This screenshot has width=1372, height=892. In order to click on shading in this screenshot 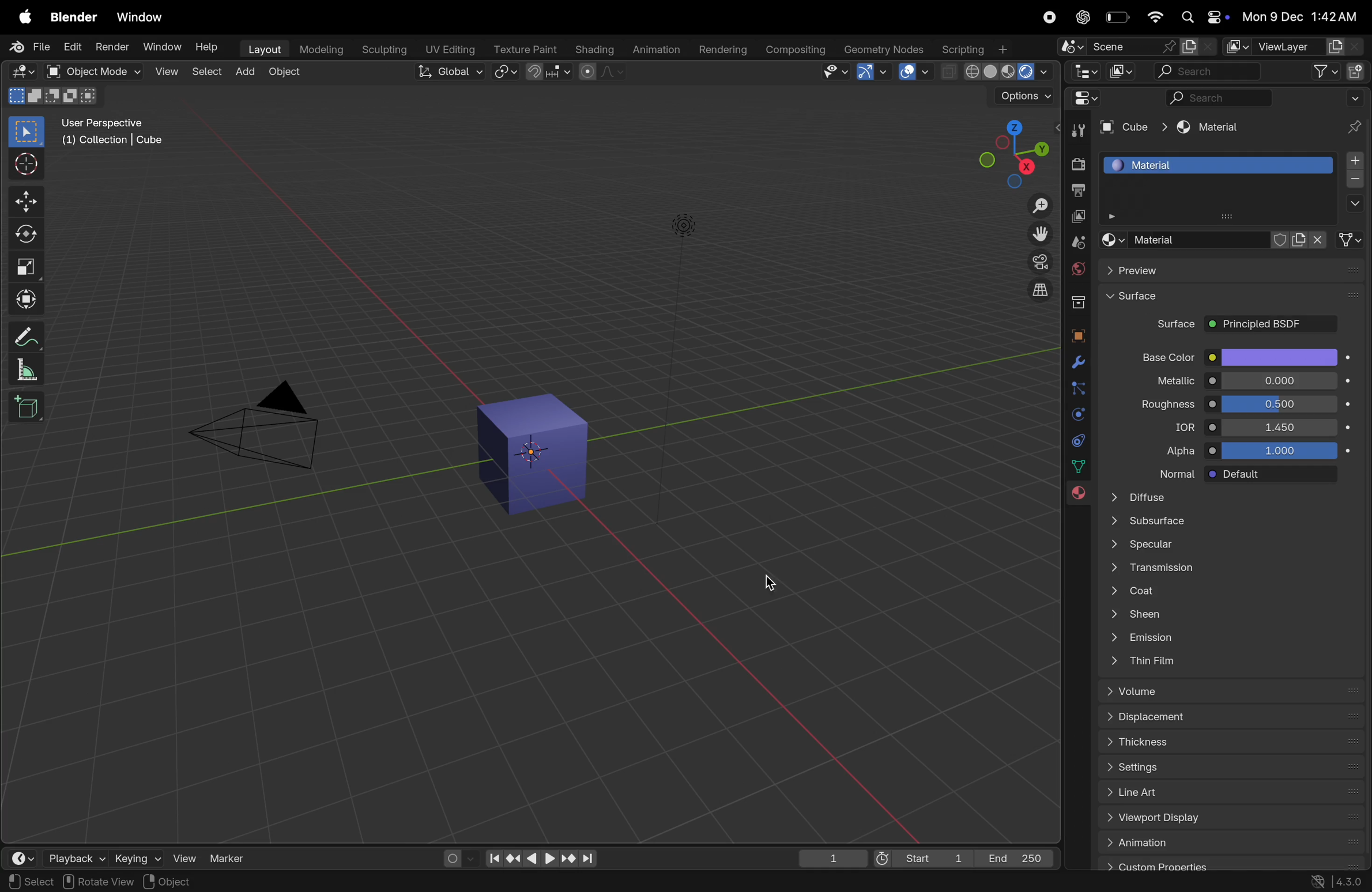, I will do `click(594, 50)`.